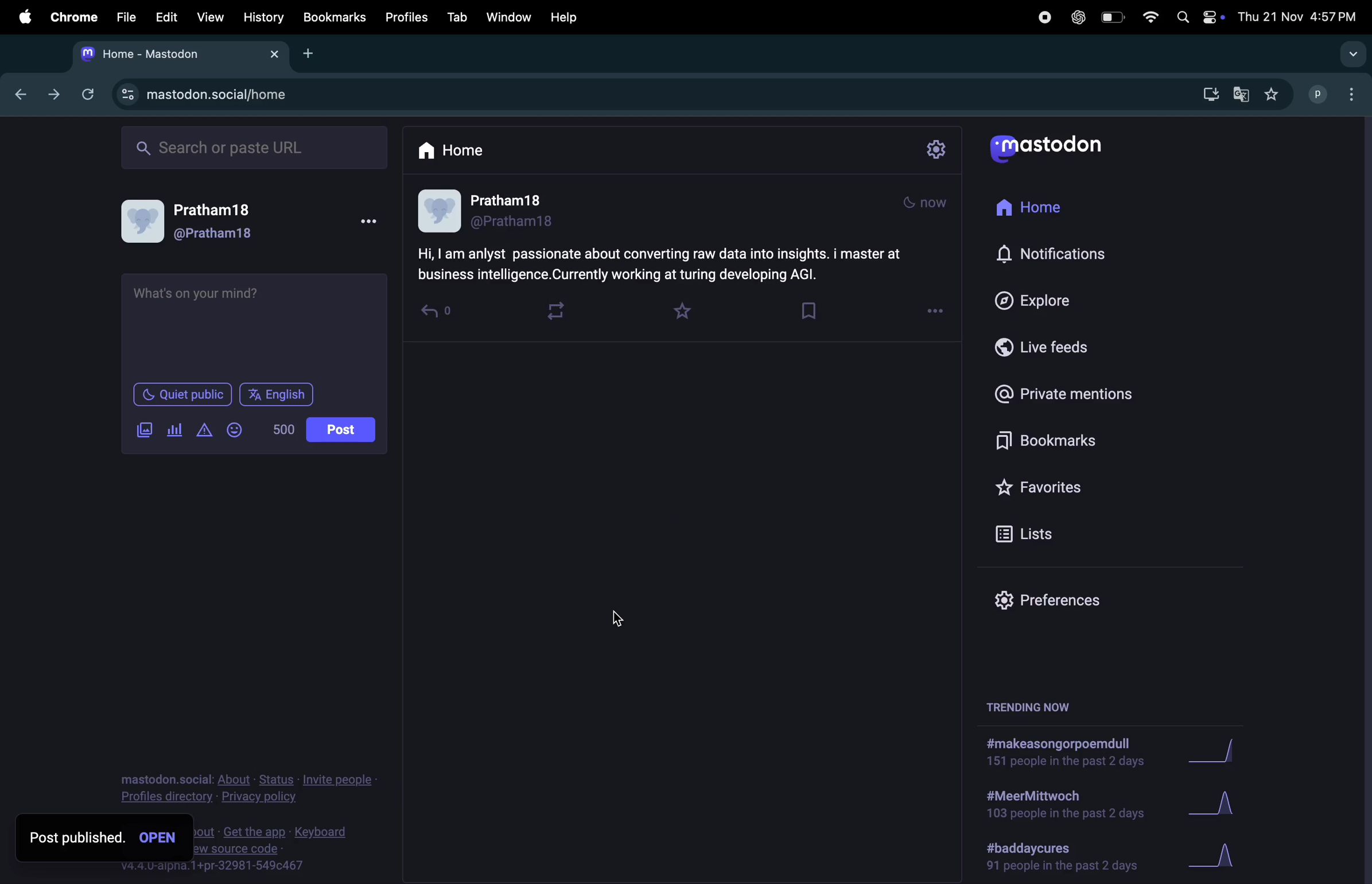 The height and width of the screenshot is (884, 1372). I want to click on bookmark, so click(814, 311).